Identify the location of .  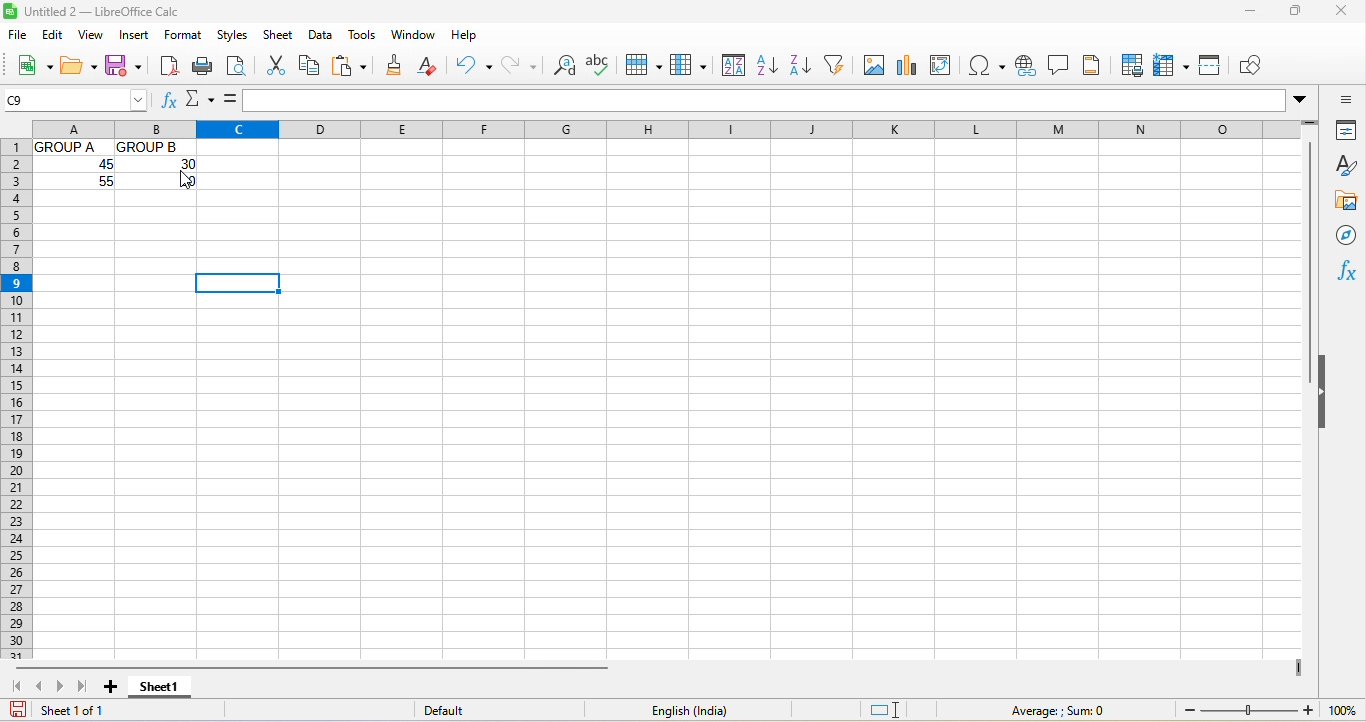
(156, 147).